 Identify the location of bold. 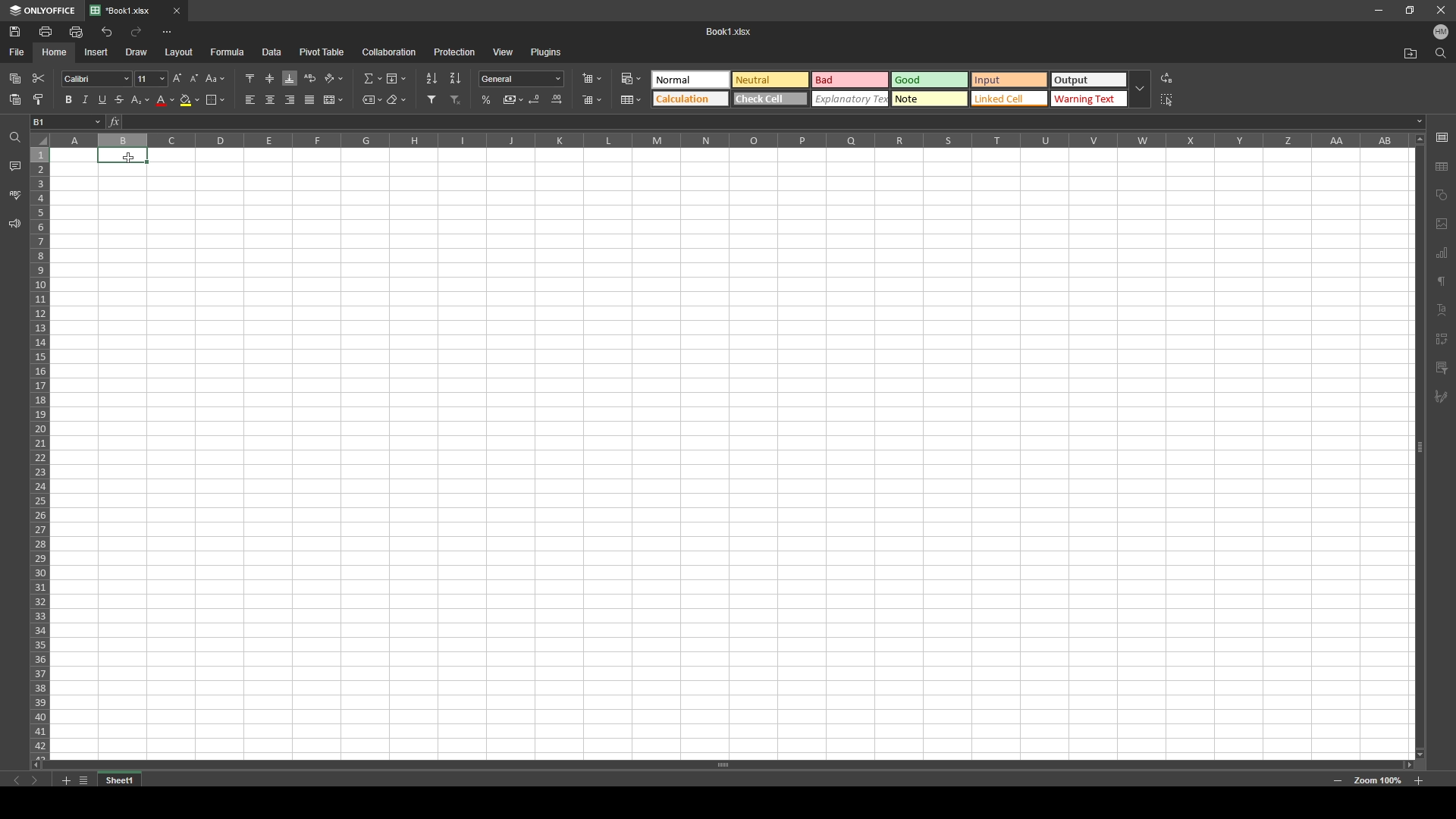
(67, 99).